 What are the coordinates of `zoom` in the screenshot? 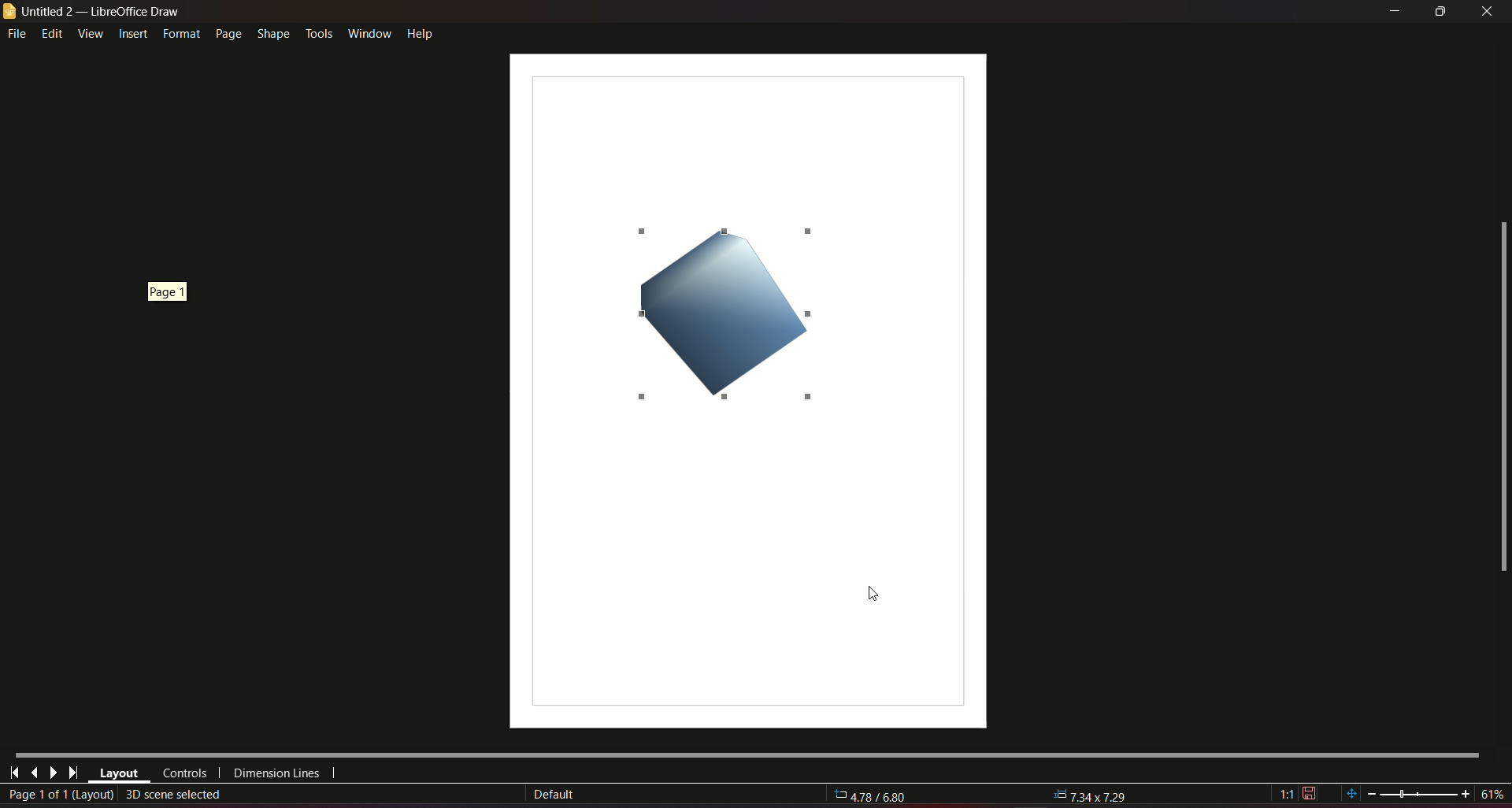 It's located at (1423, 792).